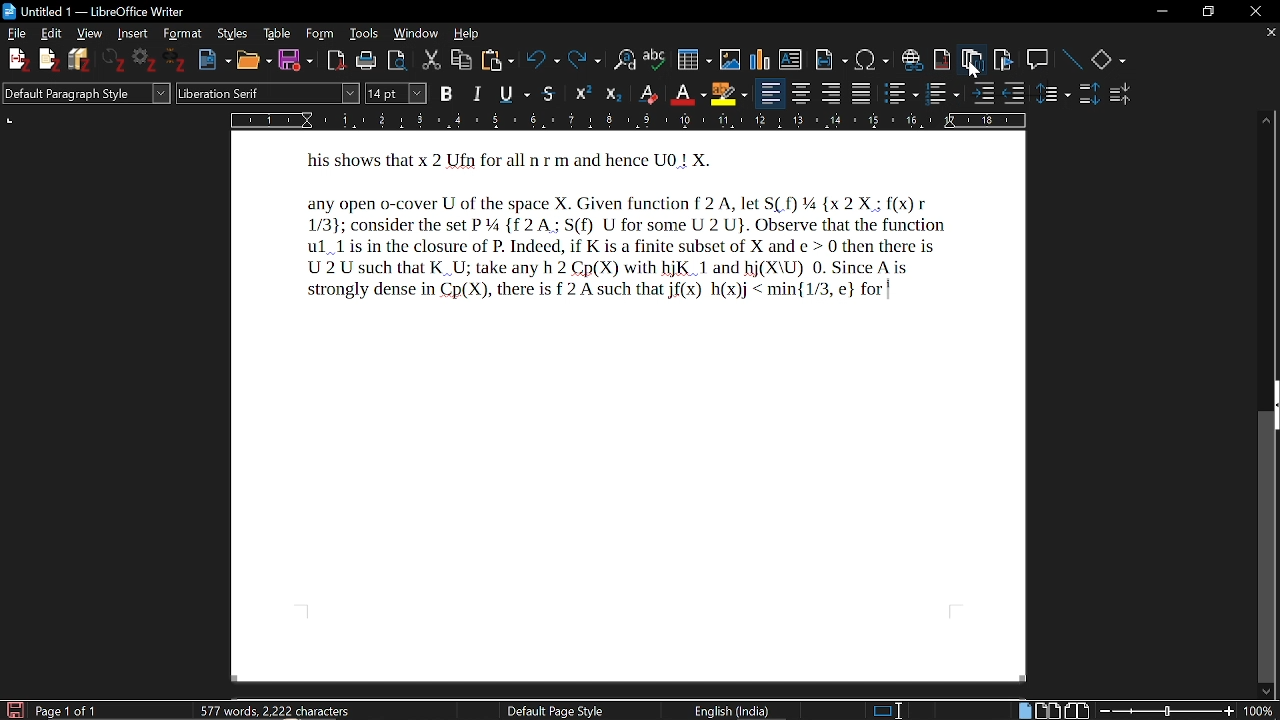 The image size is (1280, 720). Describe the element at coordinates (114, 60) in the screenshot. I see `Refresh` at that location.